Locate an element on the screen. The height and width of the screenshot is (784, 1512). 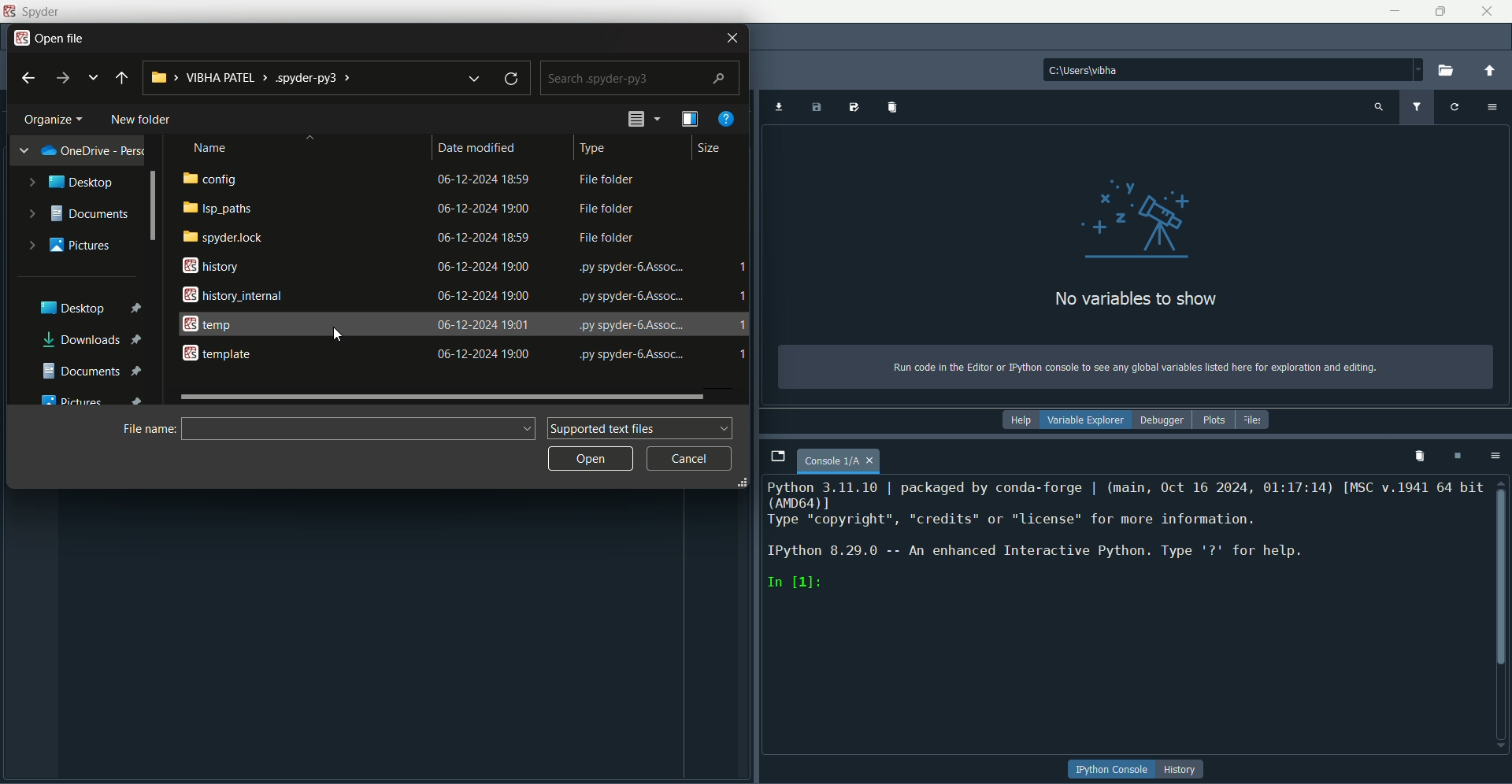
text is located at coordinates (606, 240).